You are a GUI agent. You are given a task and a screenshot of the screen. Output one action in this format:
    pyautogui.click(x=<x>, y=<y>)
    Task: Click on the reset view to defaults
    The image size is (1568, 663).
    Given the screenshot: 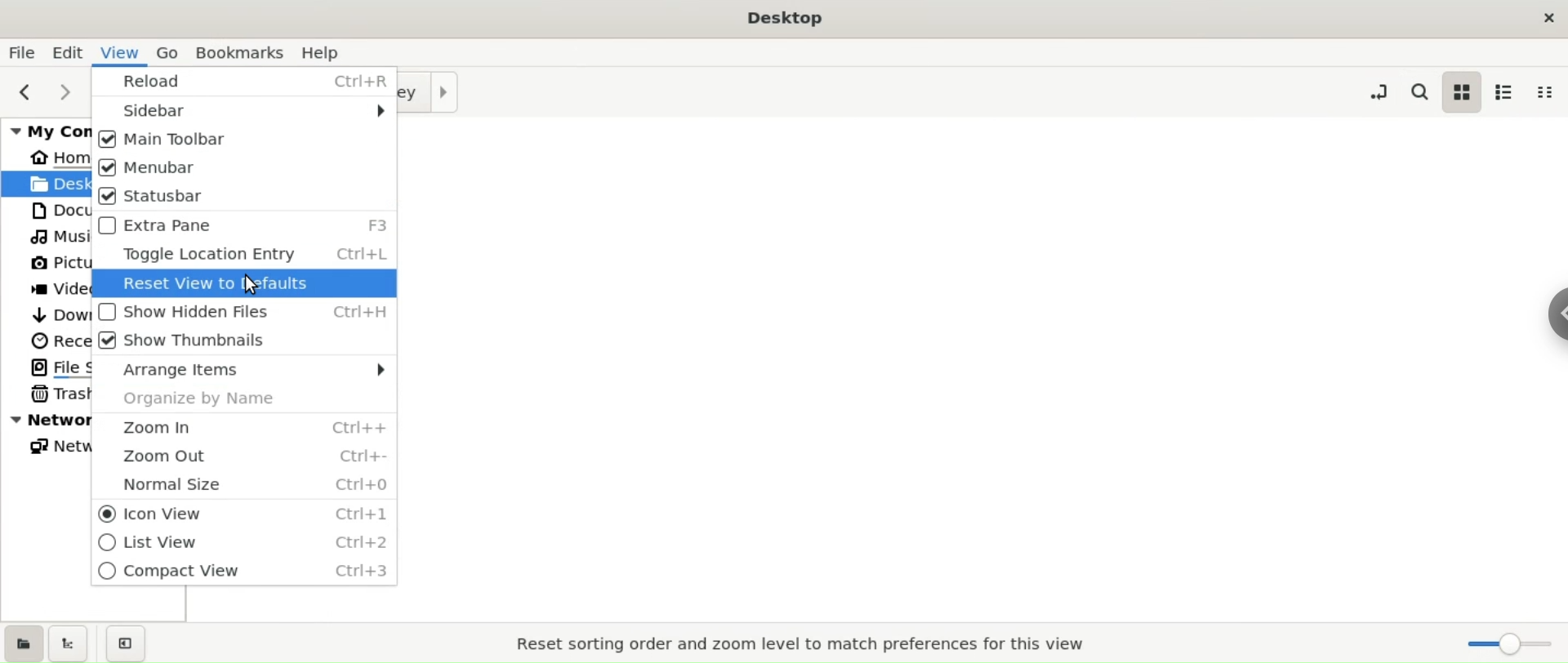 What is the action you would take?
    pyautogui.click(x=243, y=284)
    